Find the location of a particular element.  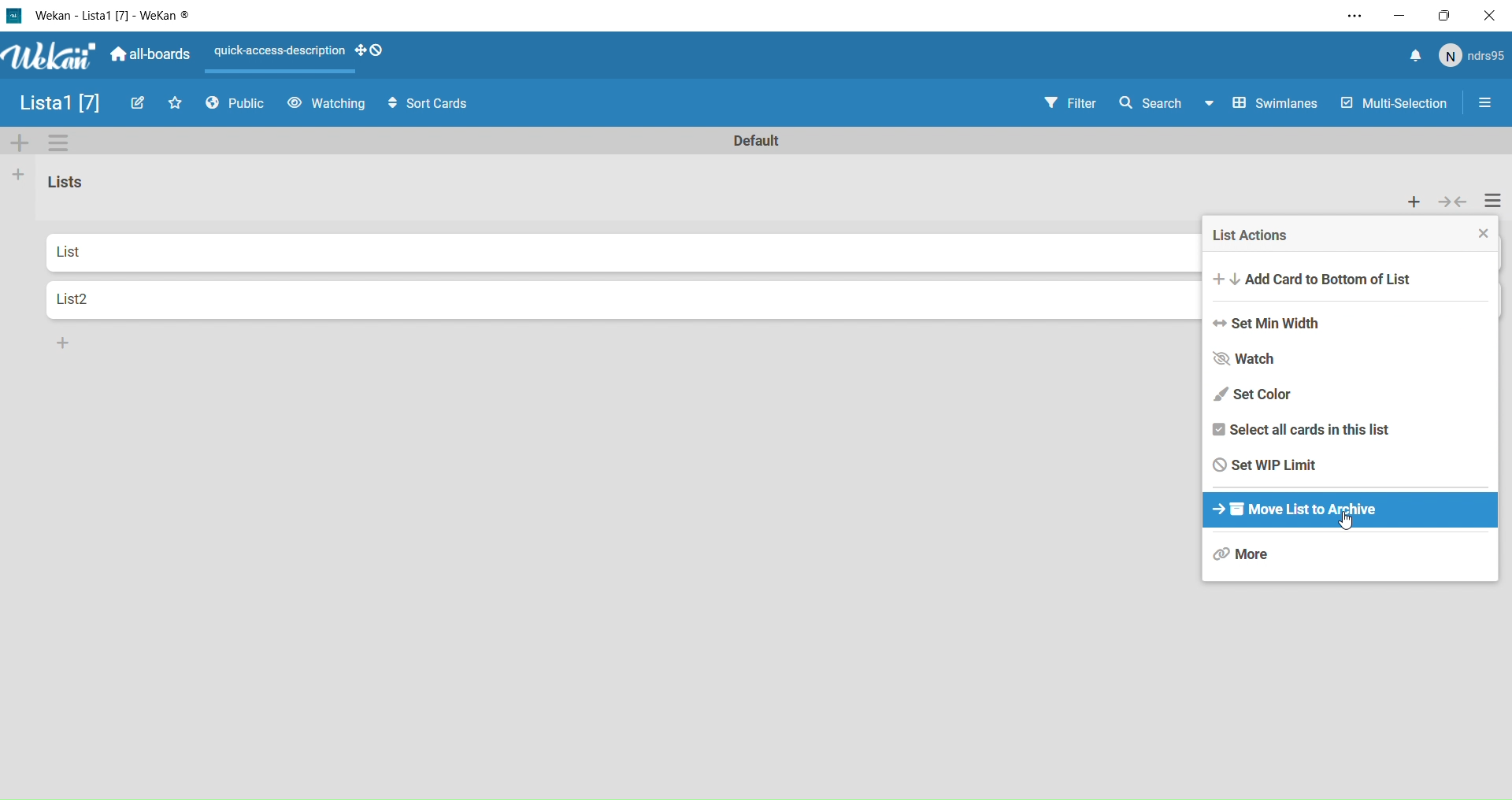

desktop drag handles is located at coordinates (371, 50).